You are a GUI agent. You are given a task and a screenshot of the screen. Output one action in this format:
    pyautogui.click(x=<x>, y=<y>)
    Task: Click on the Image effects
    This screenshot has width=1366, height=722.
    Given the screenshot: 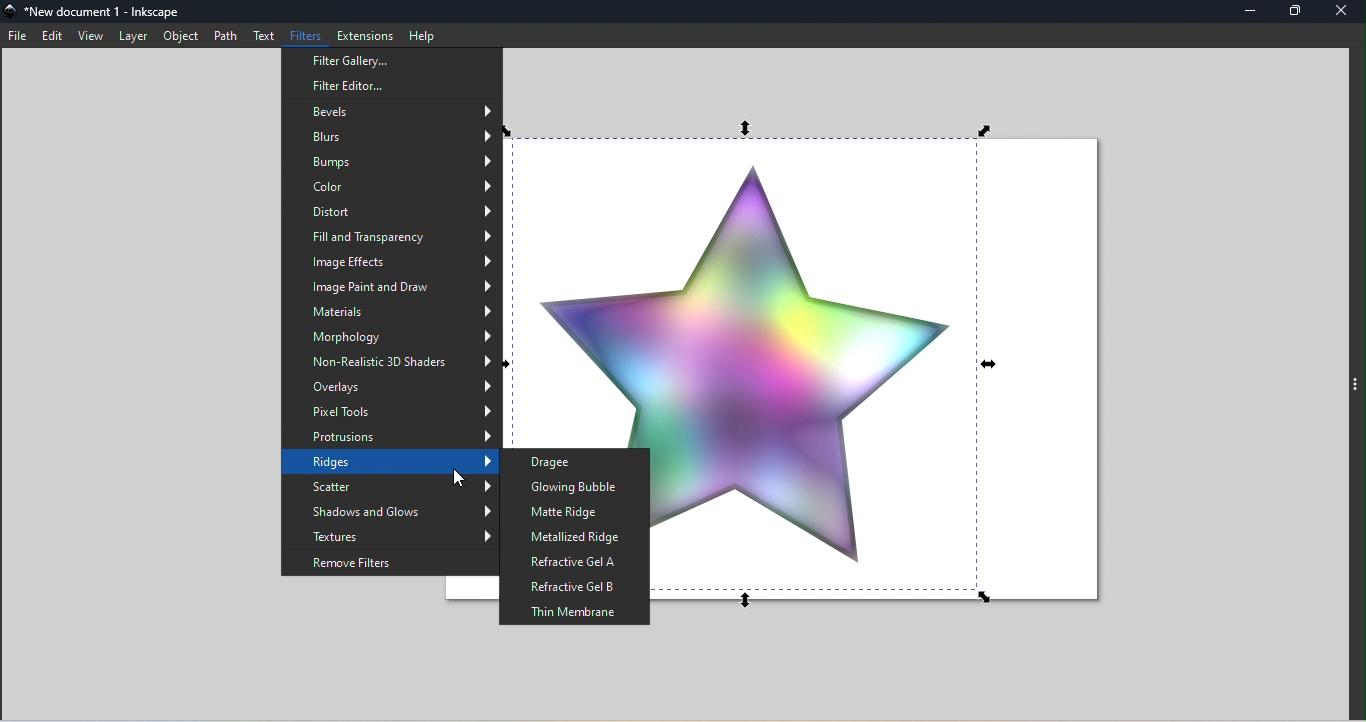 What is the action you would take?
    pyautogui.click(x=392, y=264)
    